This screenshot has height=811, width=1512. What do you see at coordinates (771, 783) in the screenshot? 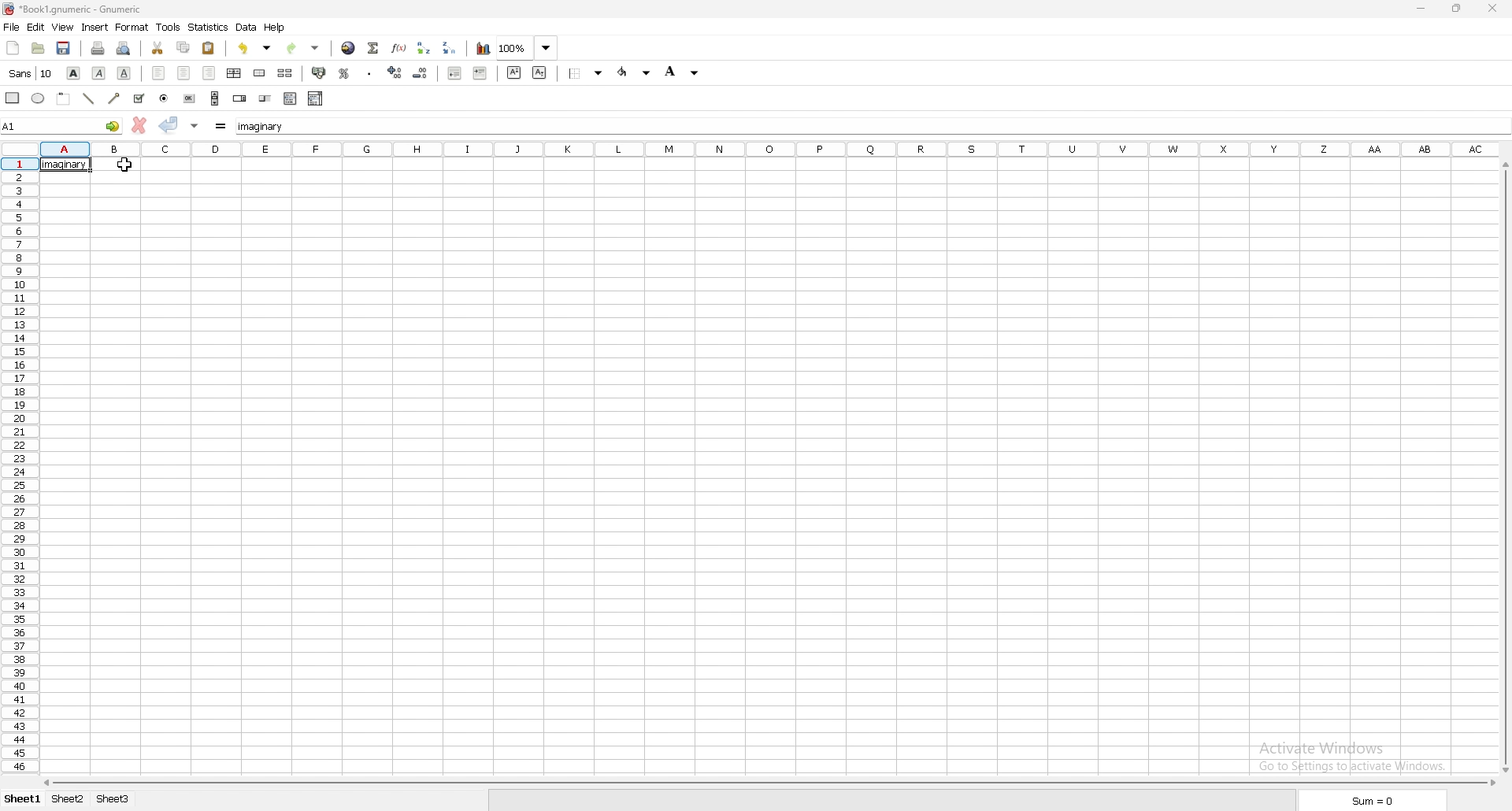
I see `scroll bar` at bounding box center [771, 783].